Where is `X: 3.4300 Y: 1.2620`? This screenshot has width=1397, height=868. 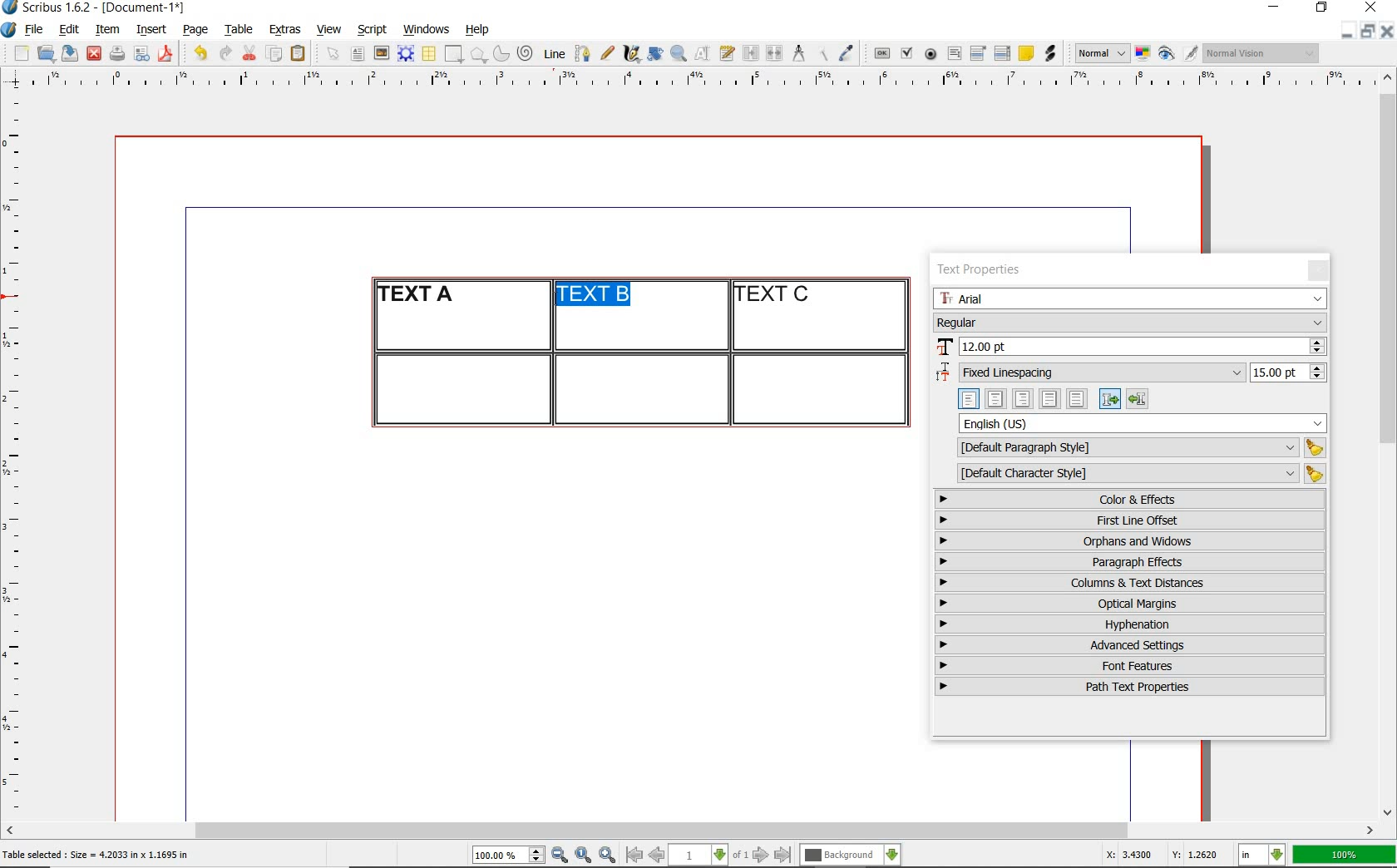 X: 3.4300 Y: 1.2620 is located at coordinates (1165, 855).